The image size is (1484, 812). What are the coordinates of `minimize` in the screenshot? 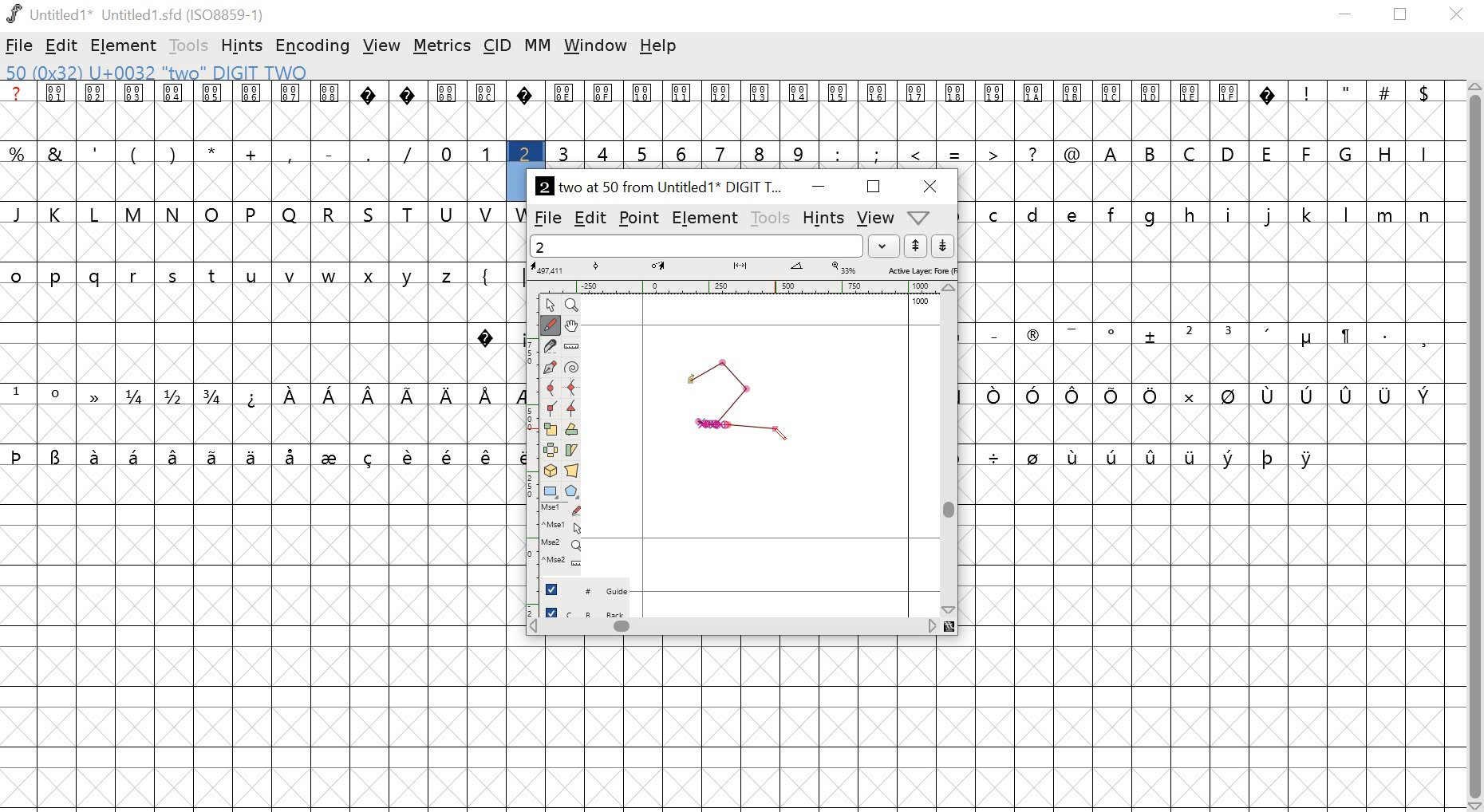 It's located at (819, 184).